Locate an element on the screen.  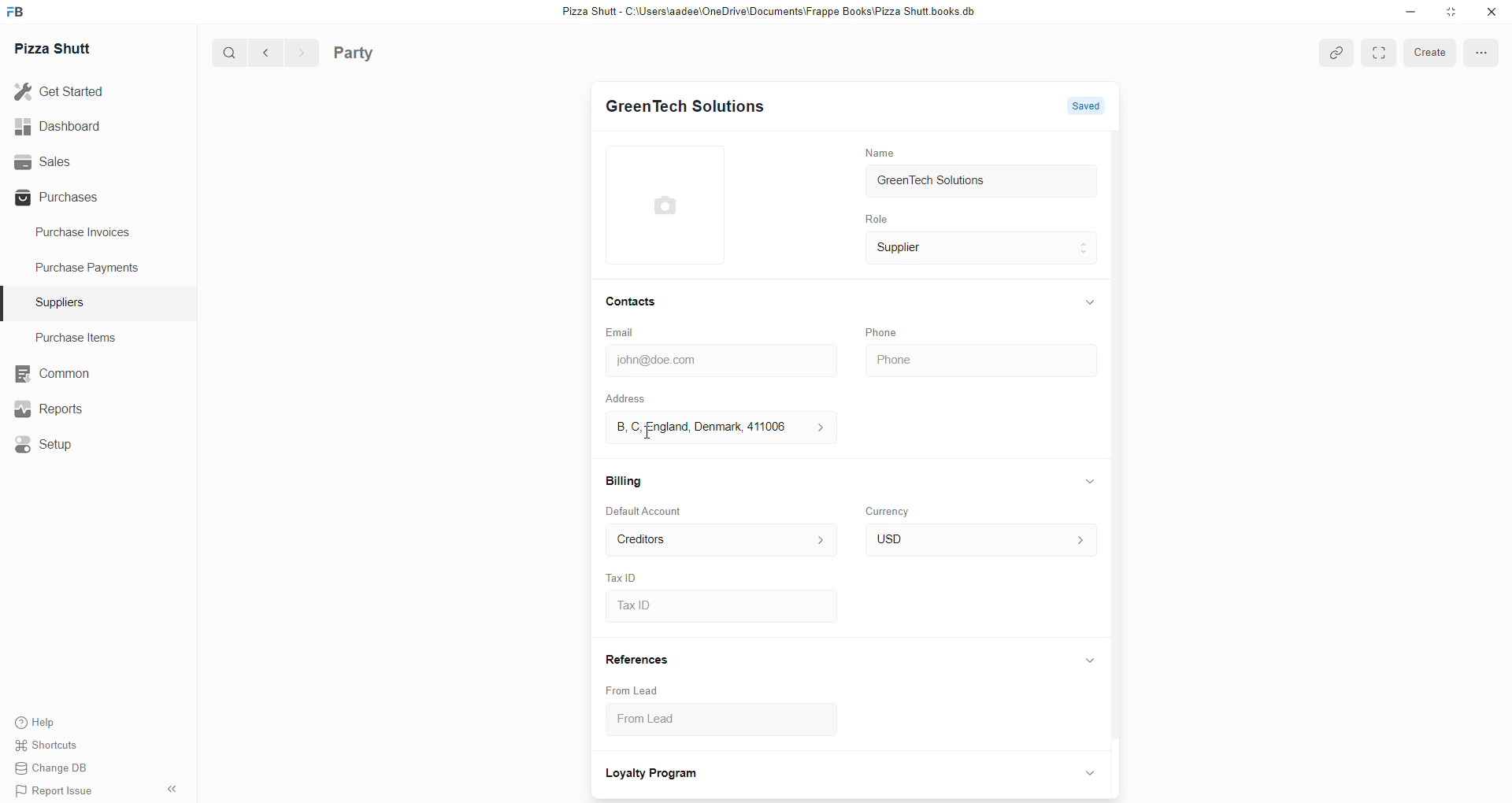
Phone is located at coordinates (884, 331).